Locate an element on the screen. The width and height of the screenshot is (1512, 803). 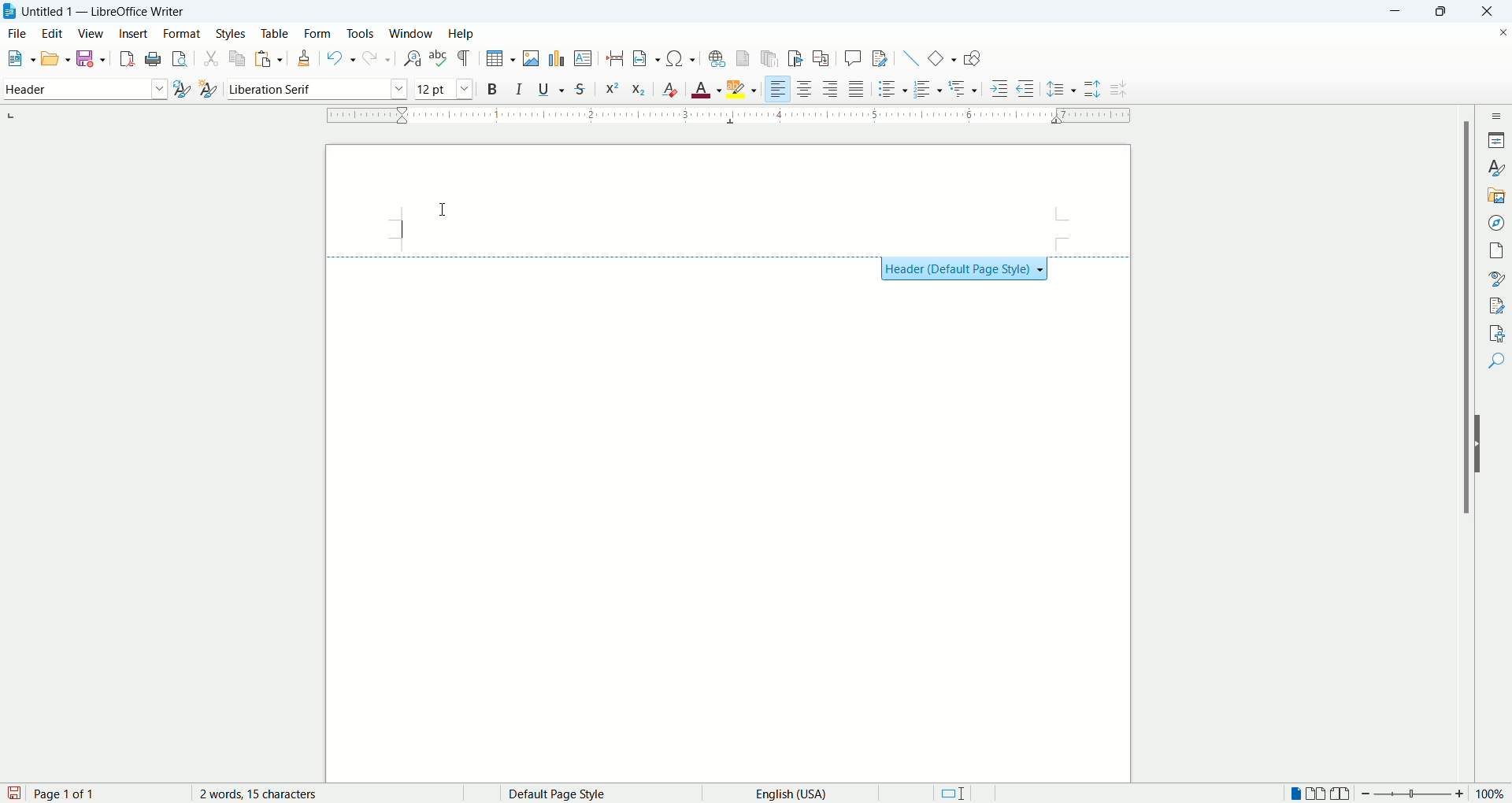
insert comment is located at coordinates (854, 57).